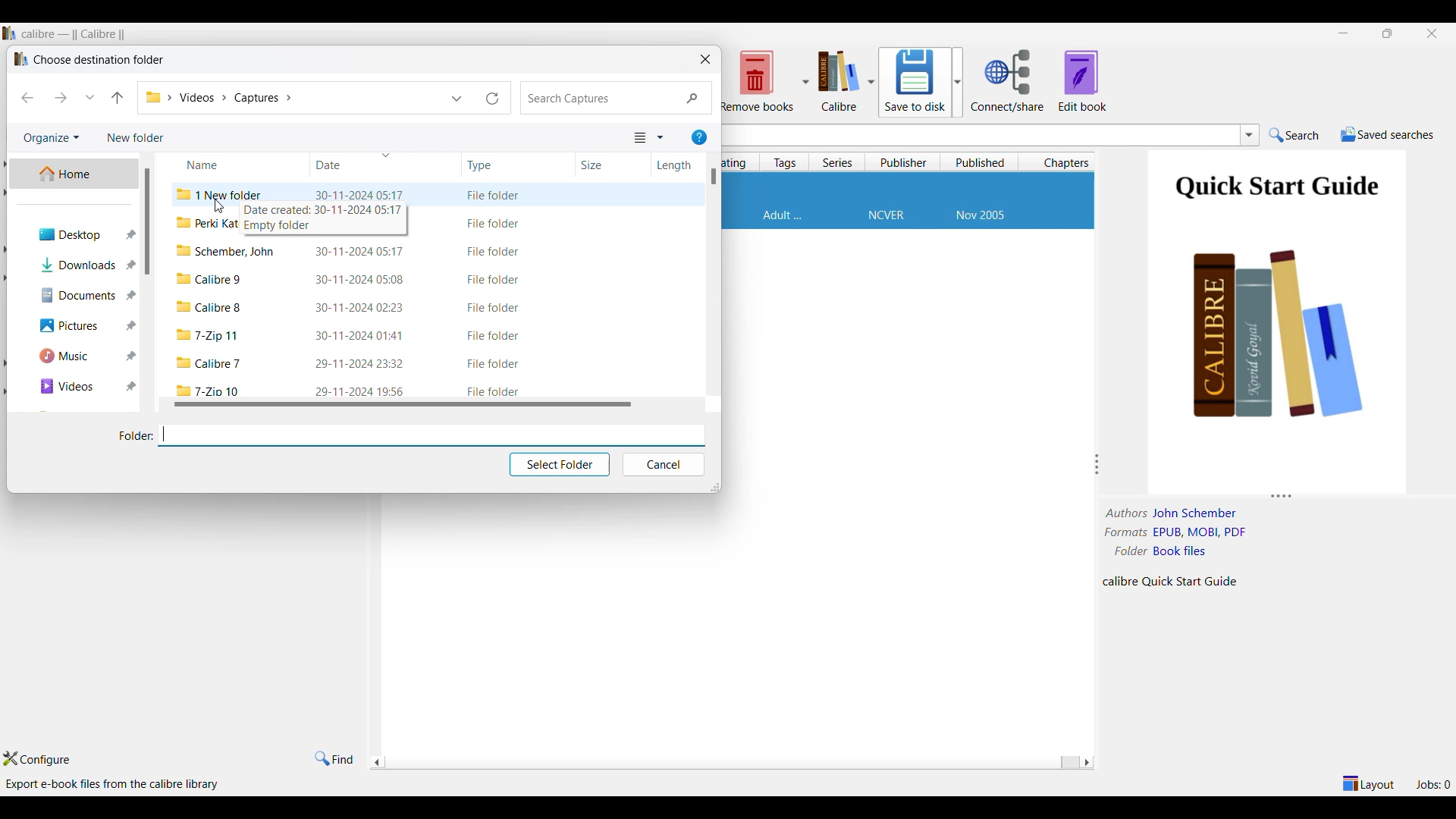 The height and width of the screenshot is (819, 1456). What do you see at coordinates (361, 364) in the screenshot?
I see `date` at bounding box center [361, 364].